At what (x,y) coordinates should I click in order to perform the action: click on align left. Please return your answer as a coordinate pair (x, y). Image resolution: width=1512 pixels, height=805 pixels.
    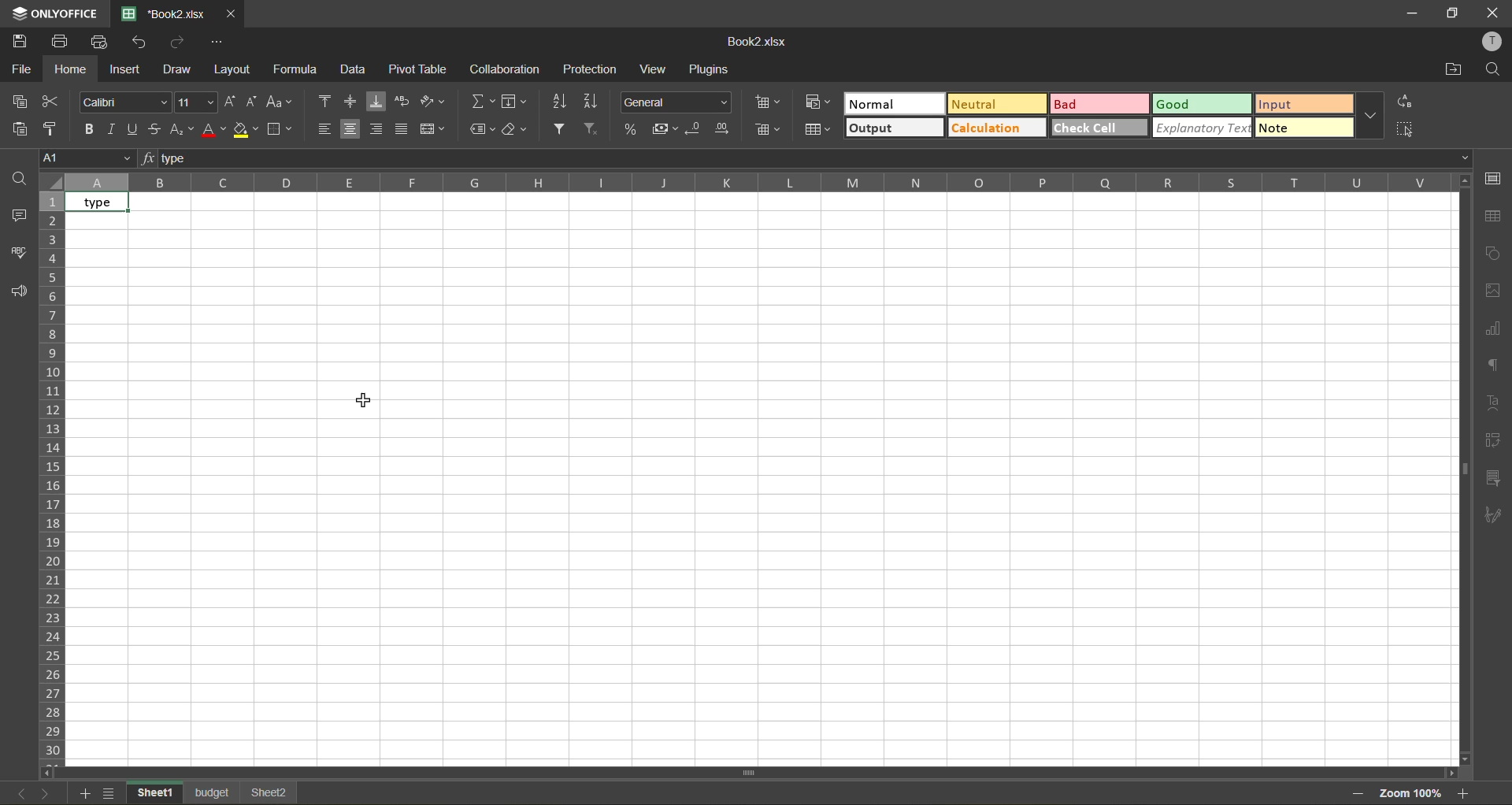
    Looking at the image, I should click on (328, 130).